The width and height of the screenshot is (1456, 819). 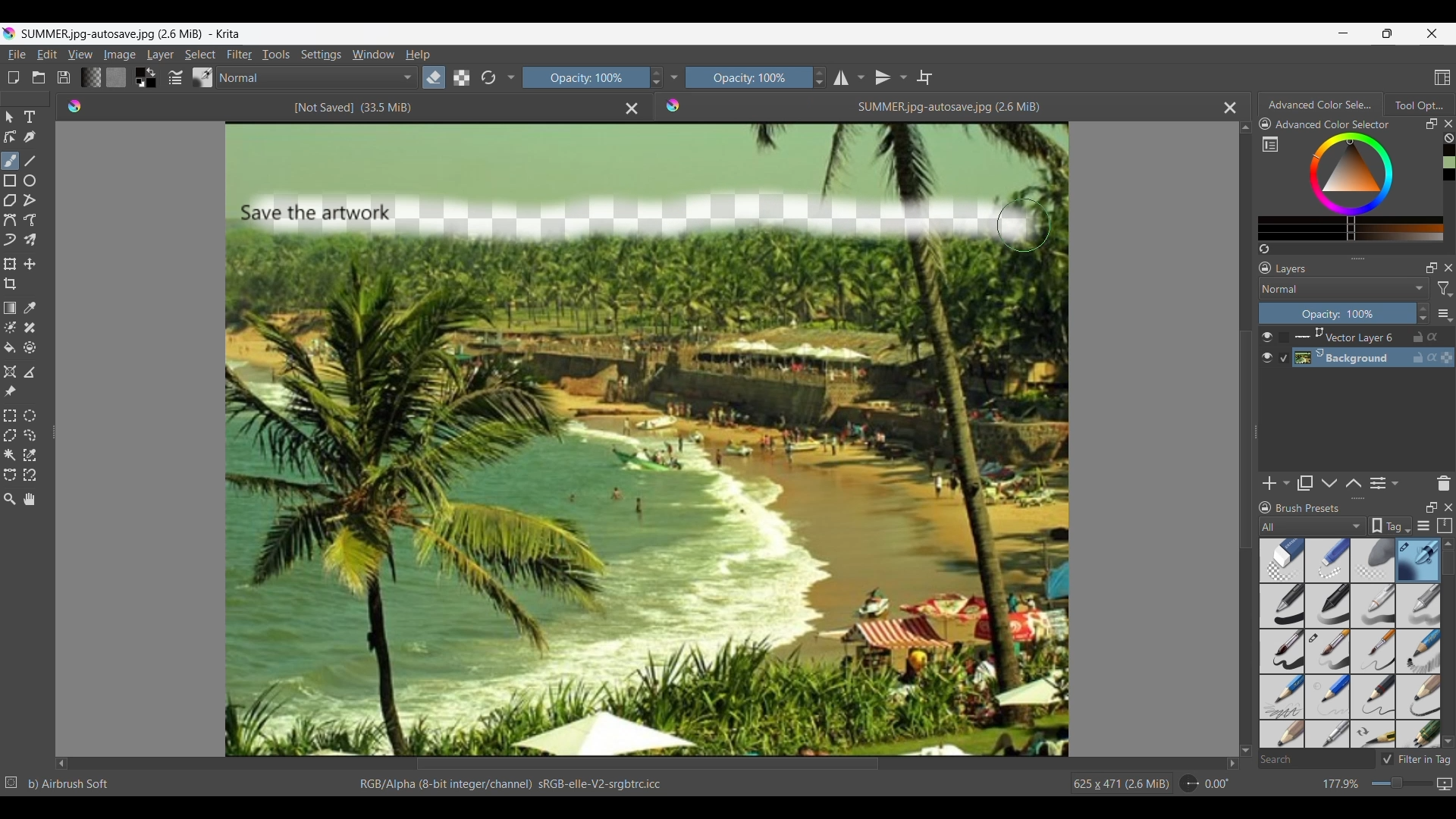 What do you see at coordinates (1390, 526) in the screenshot?
I see `Tag` at bounding box center [1390, 526].